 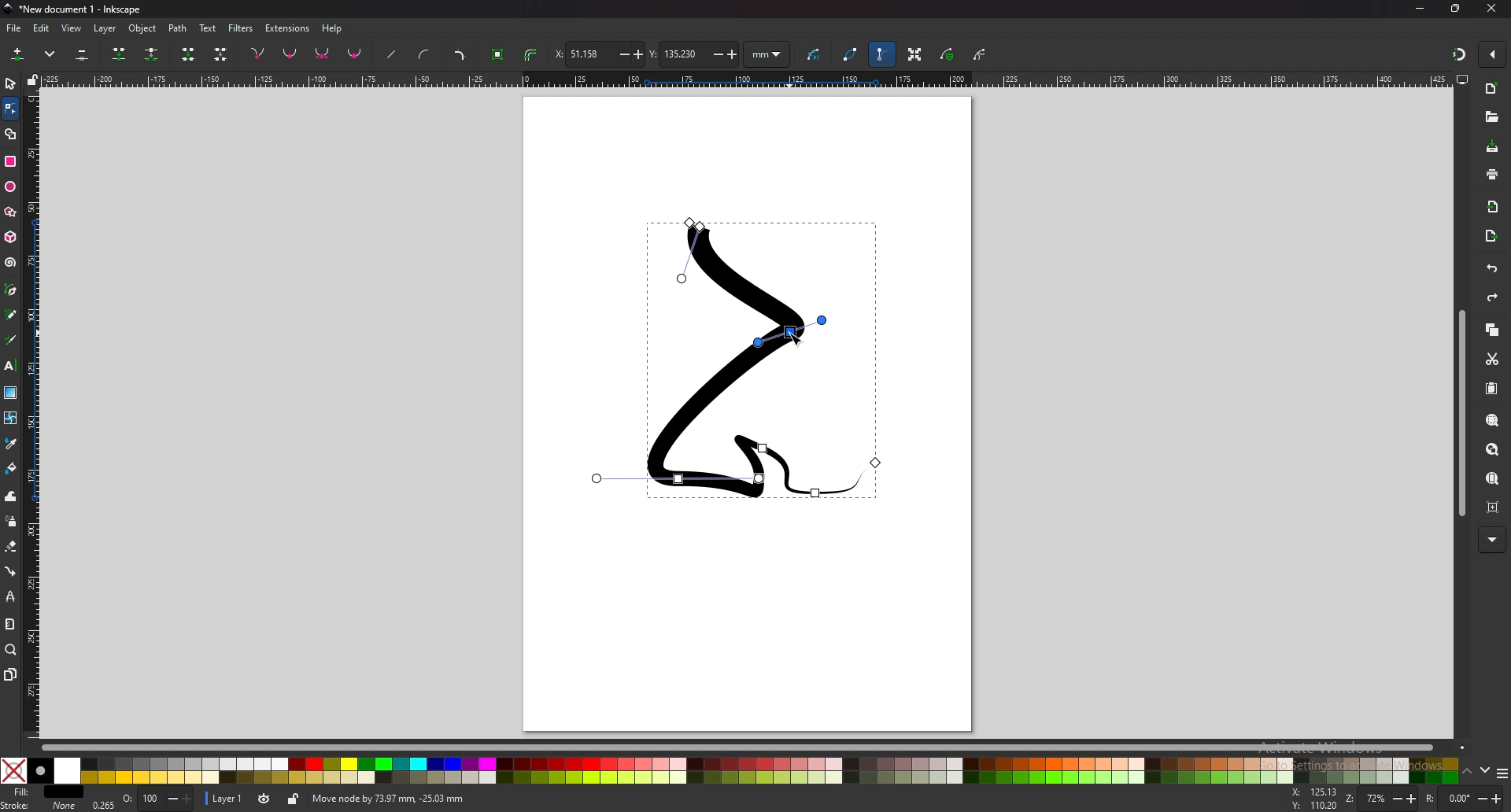 I want to click on selector, so click(x=11, y=83).